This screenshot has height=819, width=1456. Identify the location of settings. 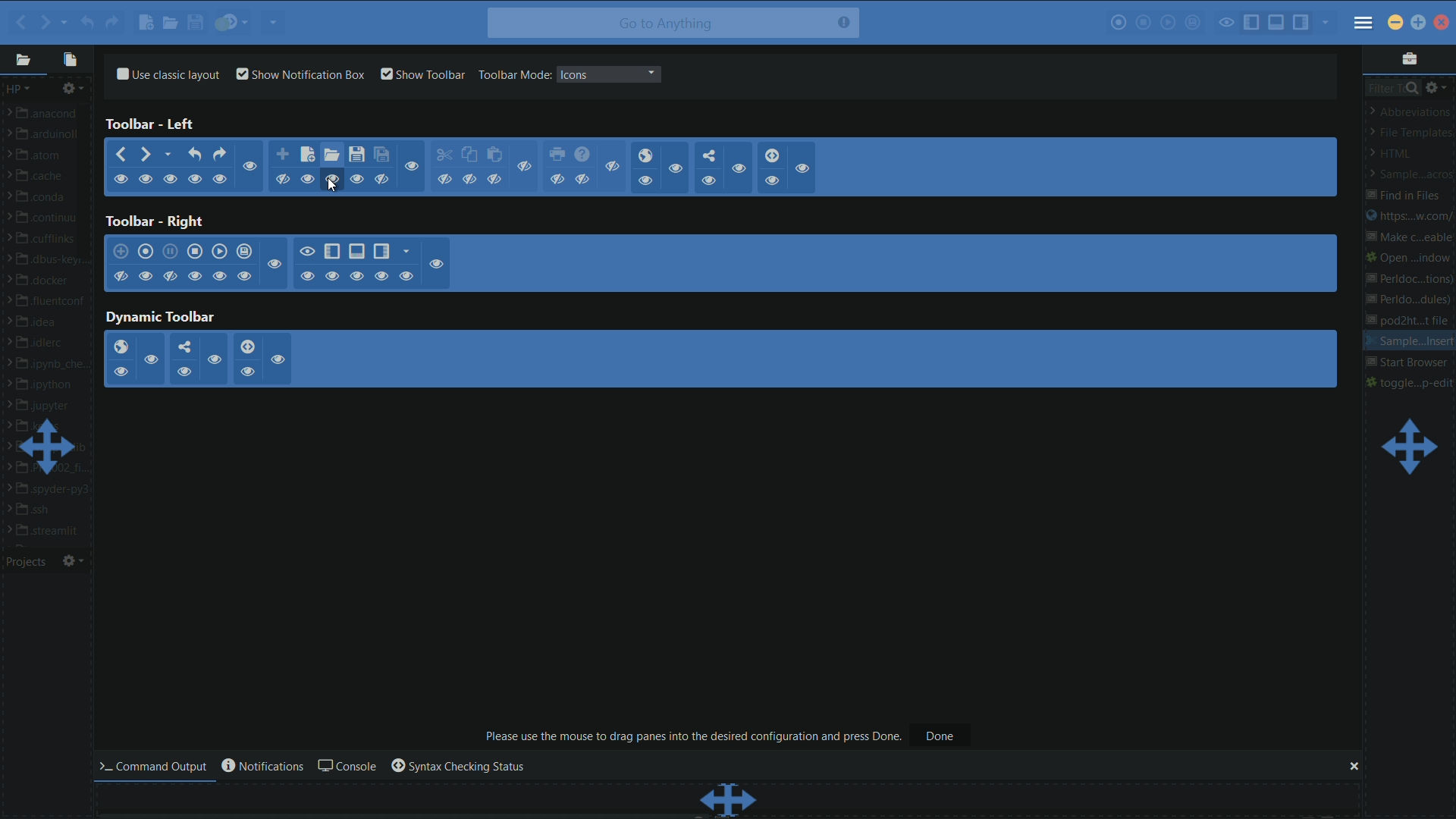
(75, 89).